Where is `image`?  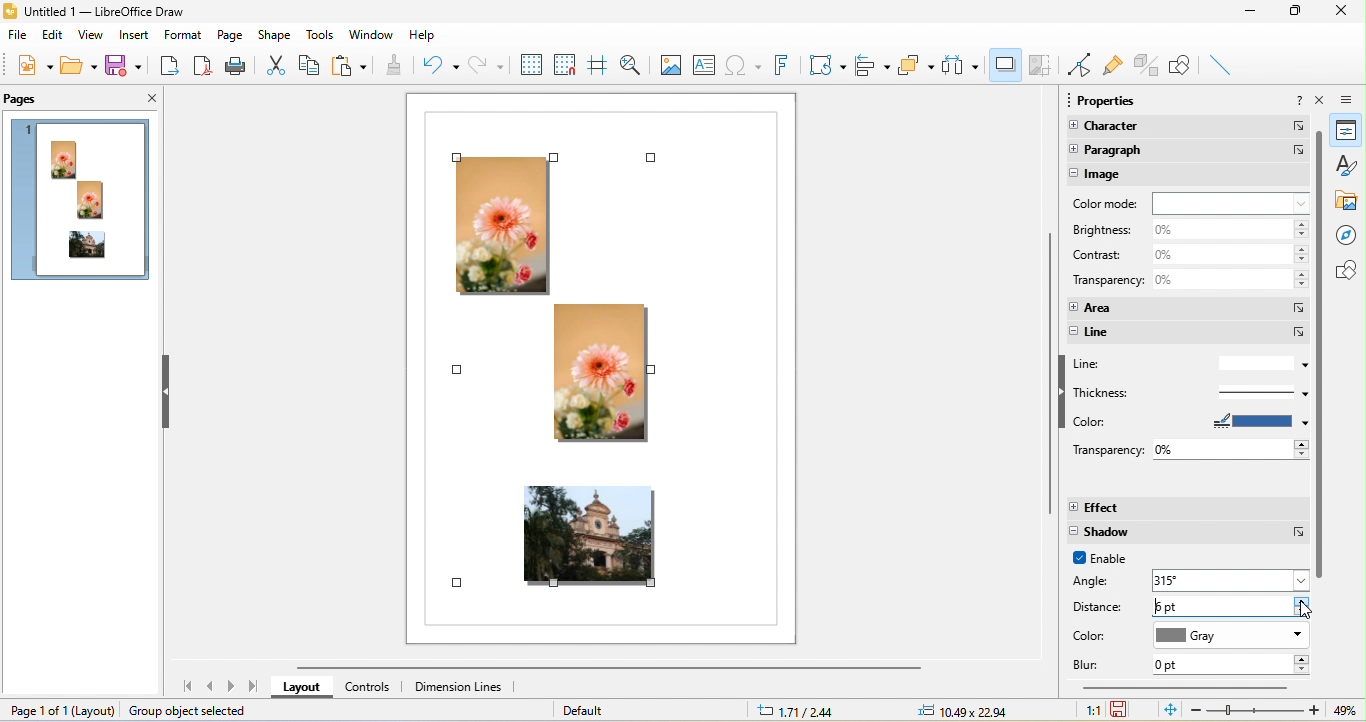 image is located at coordinates (669, 64).